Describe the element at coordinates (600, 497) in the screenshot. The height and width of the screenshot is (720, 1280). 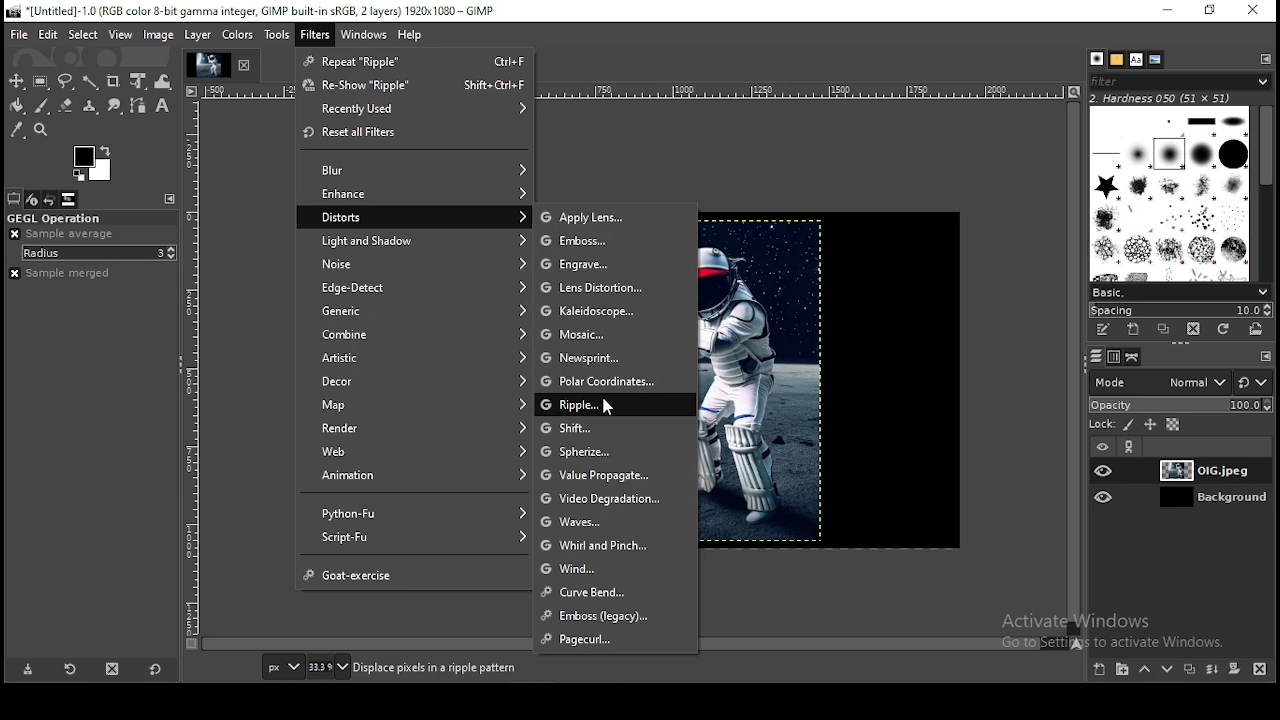
I see `video degradation` at that location.